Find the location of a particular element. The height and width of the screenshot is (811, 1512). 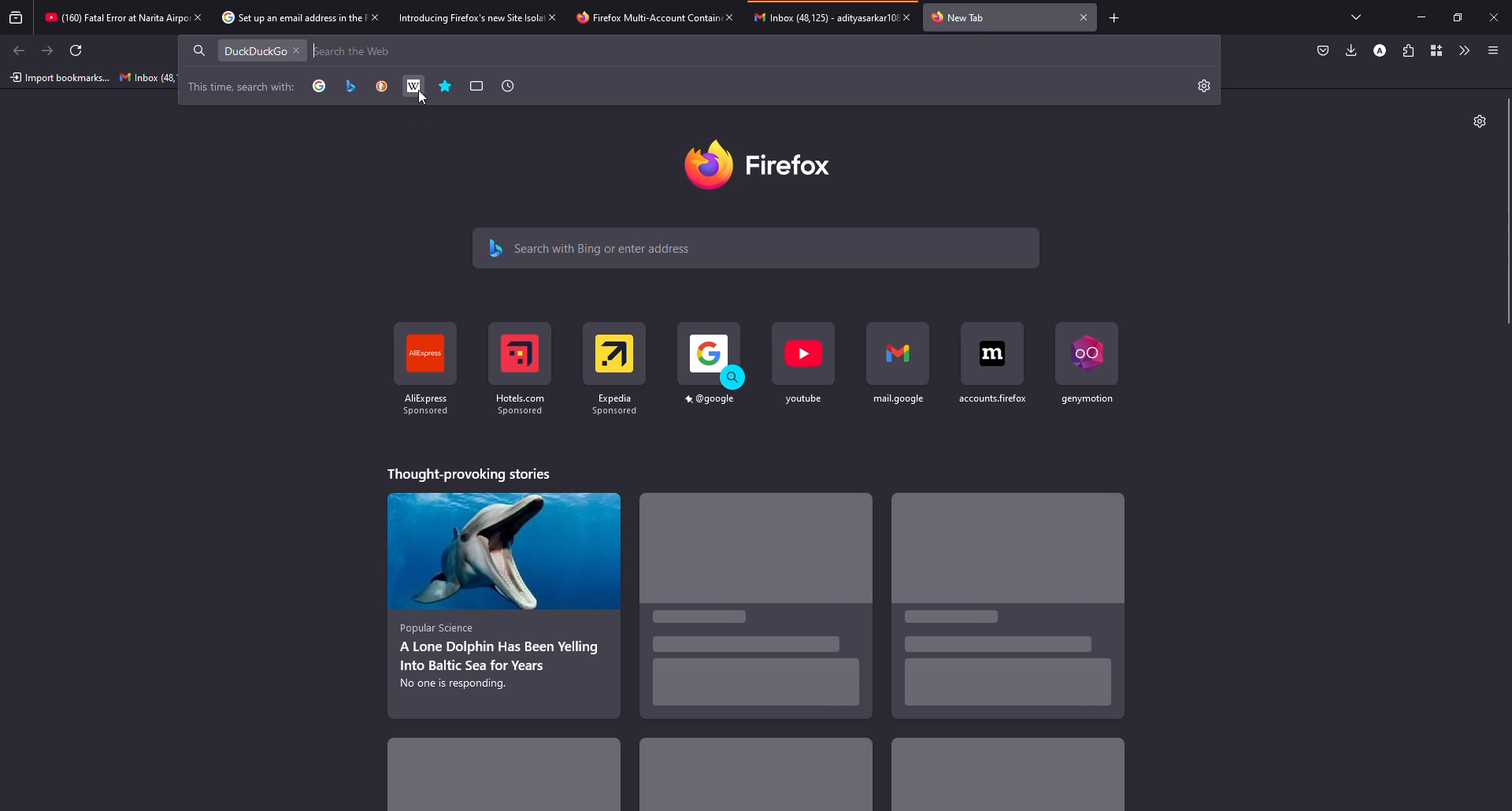

Cursor is located at coordinates (424, 97).